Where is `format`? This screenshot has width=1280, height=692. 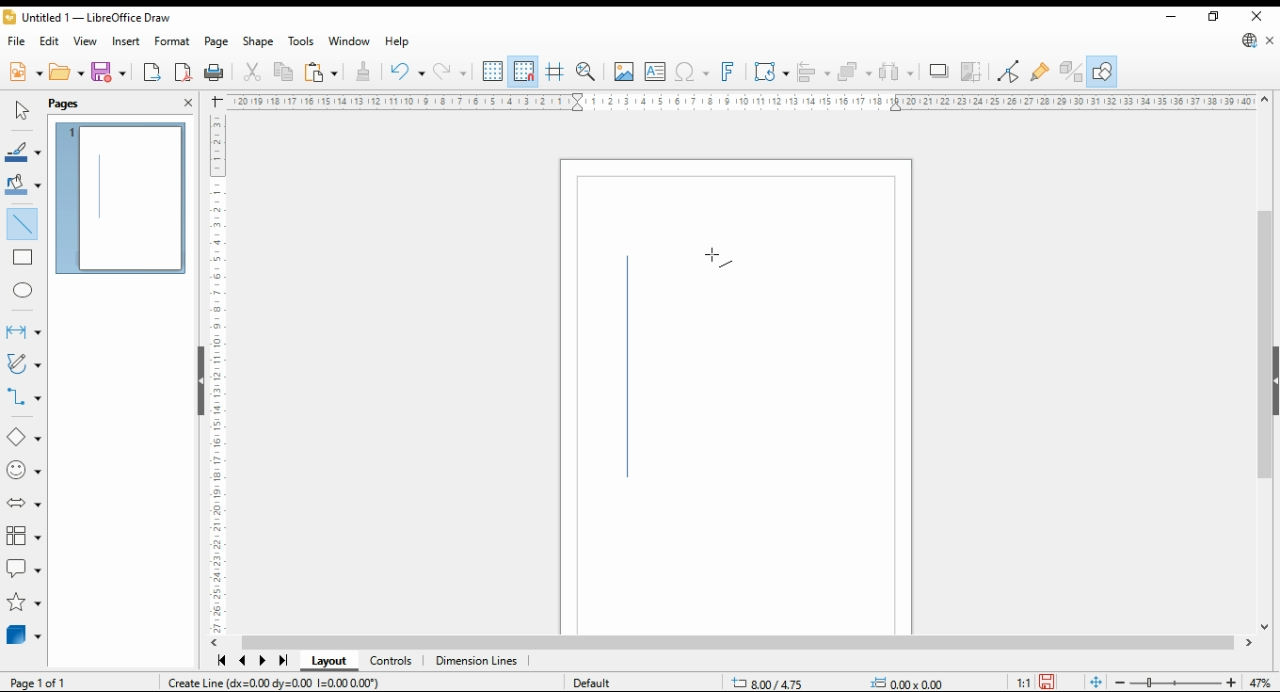 format is located at coordinates (172, 40).